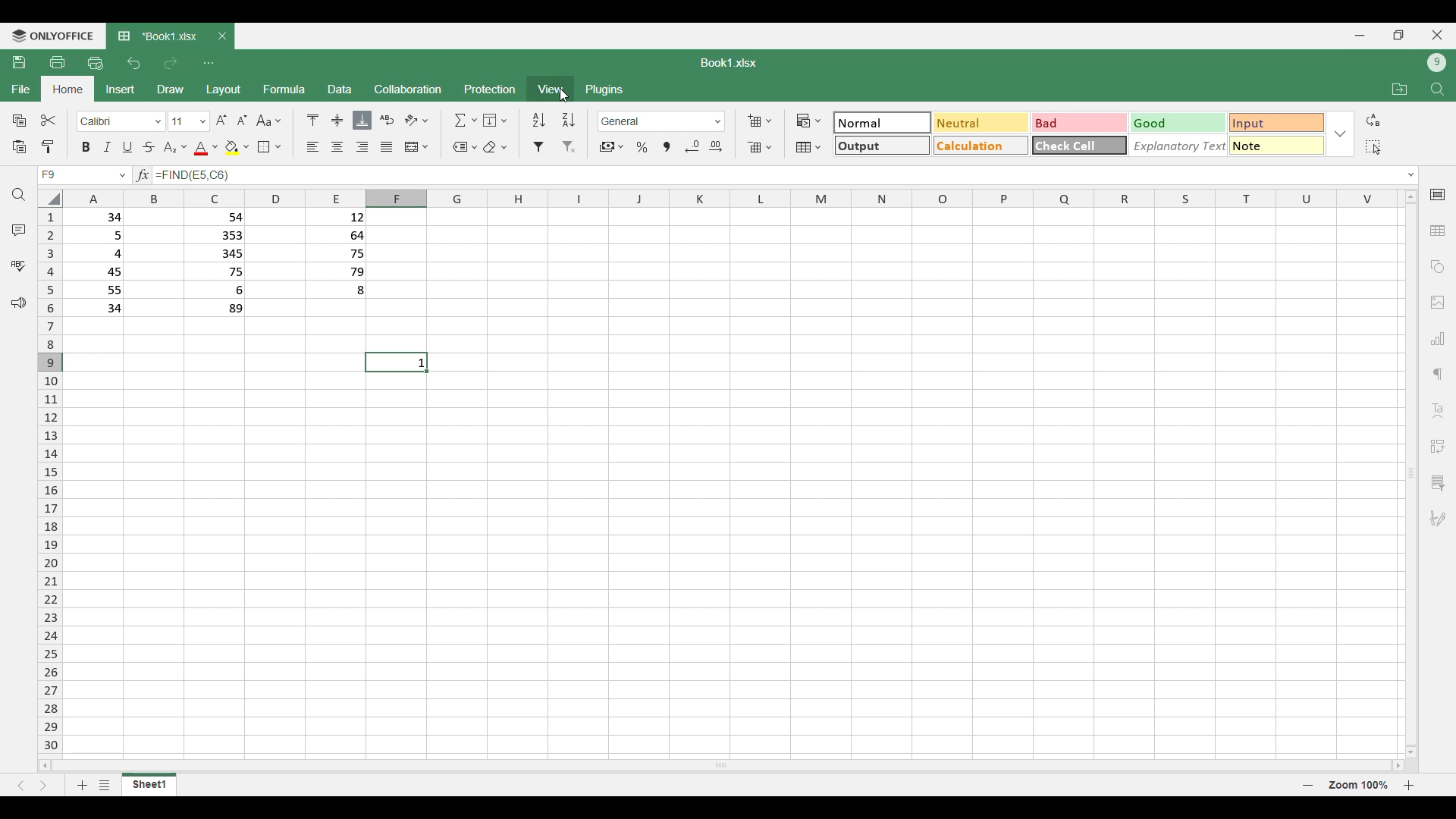 The height and width of the screenshot is (819, 1456). Describe the element at coordinates (312, 120) in the screenshot. I see `Align top` at that location.